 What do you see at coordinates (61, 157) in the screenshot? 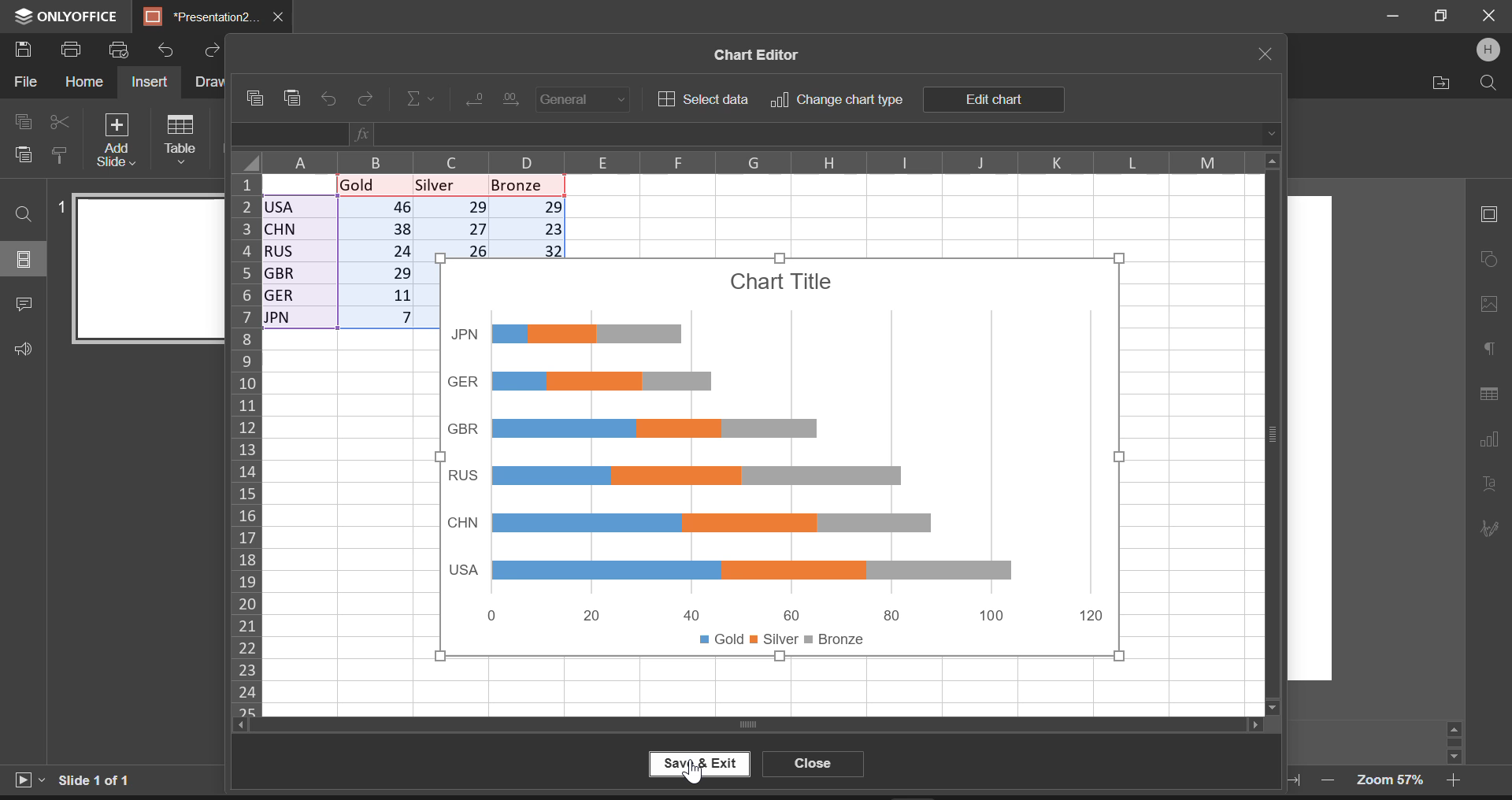
I see `Copy Style` at bounding box center [61, 157].